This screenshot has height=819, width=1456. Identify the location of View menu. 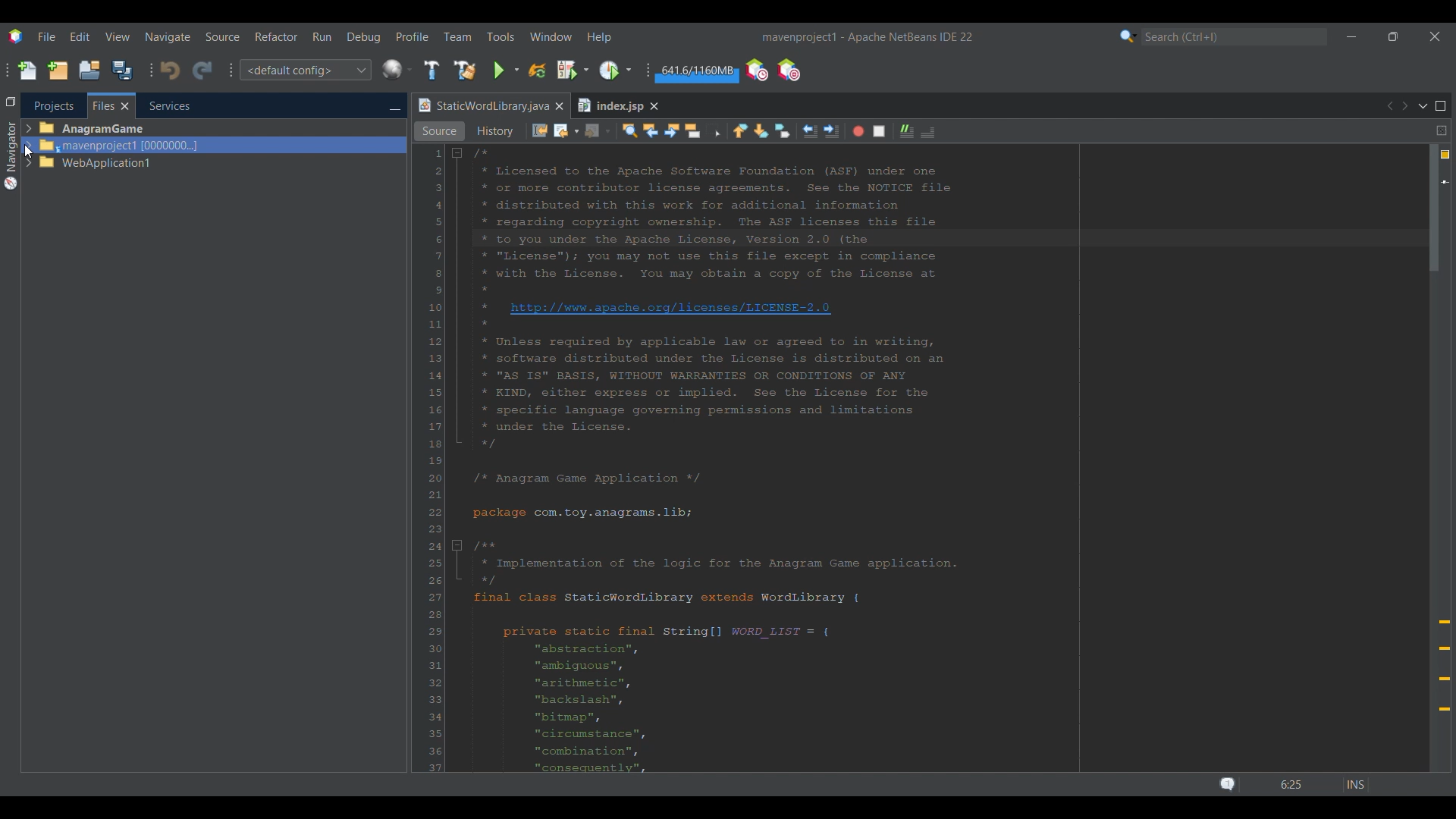
(118, 37).